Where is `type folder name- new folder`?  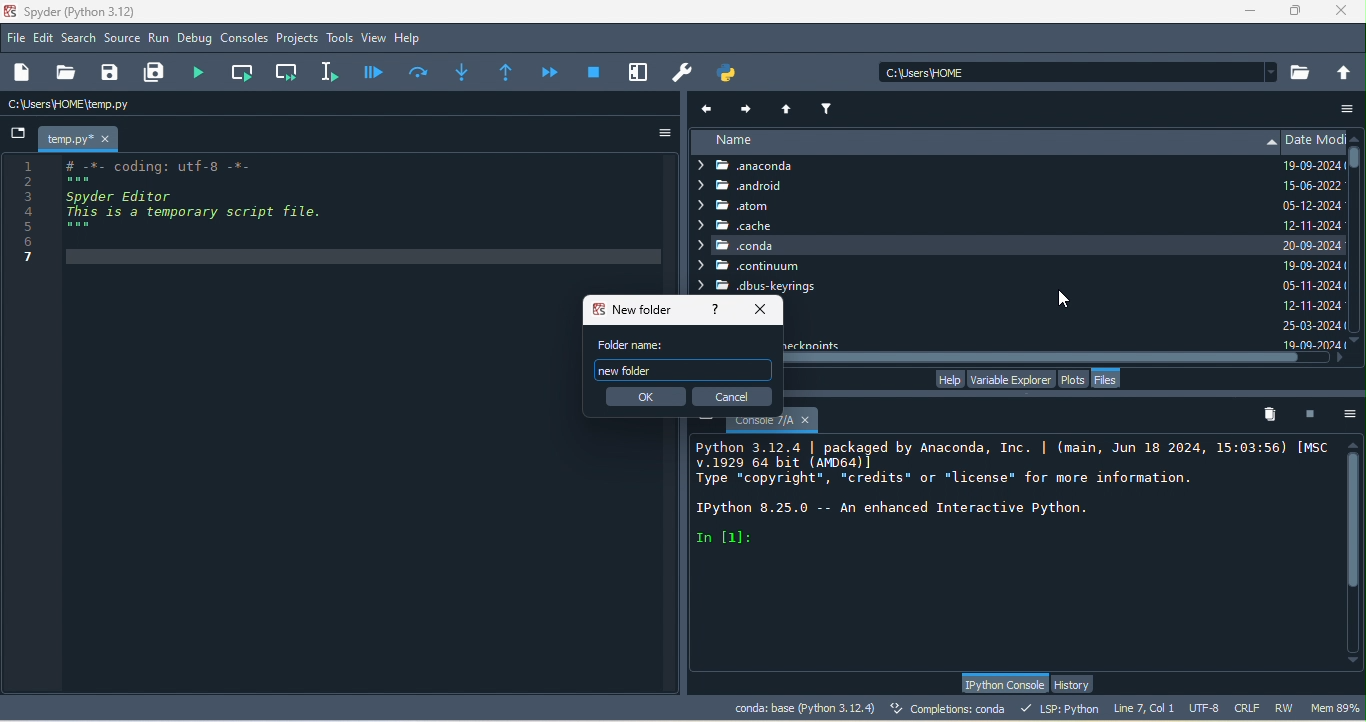 type folder name- new folder is located at coordinates (683, 370).